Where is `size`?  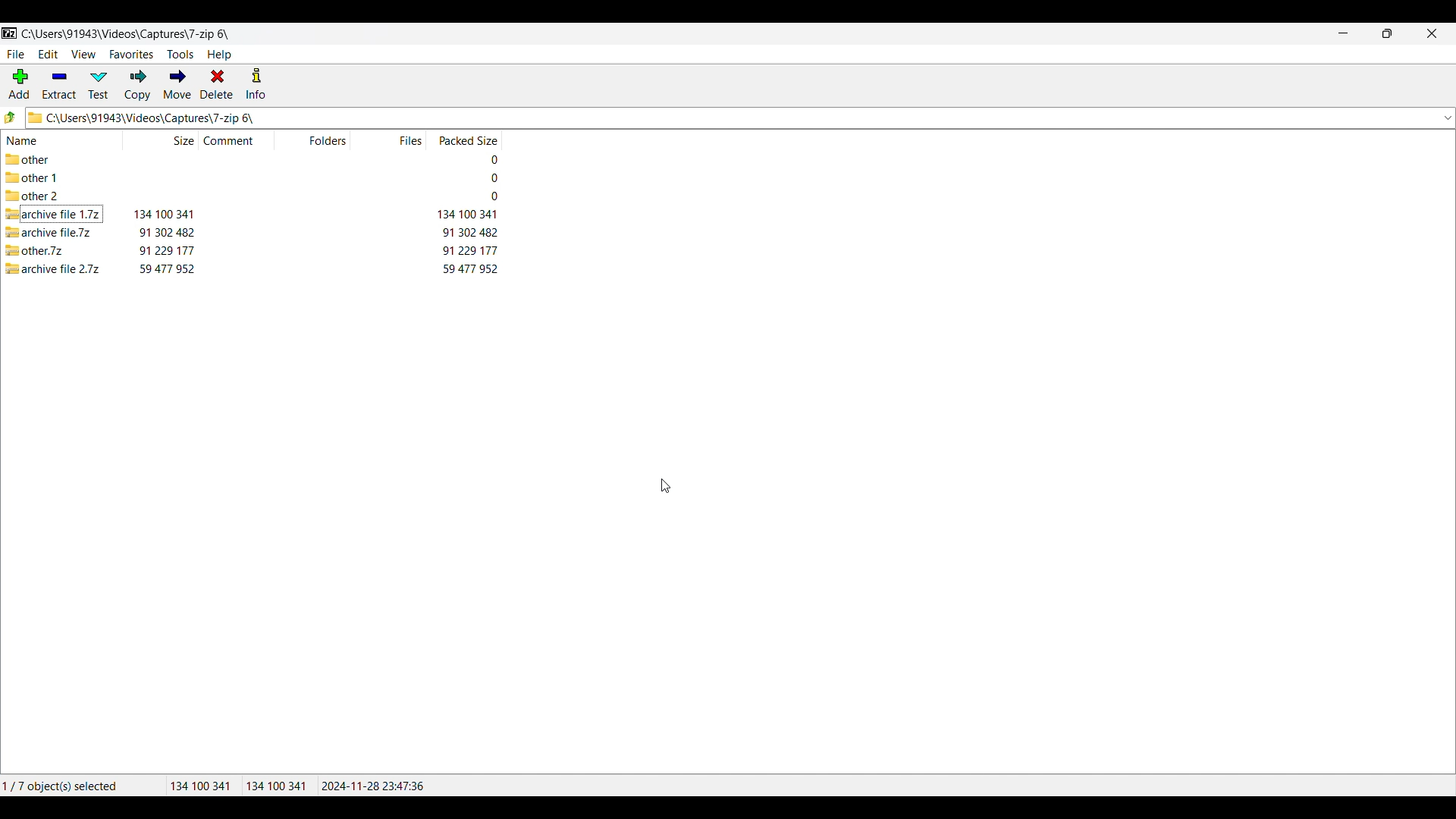
size is located at coordinates (164, 214).